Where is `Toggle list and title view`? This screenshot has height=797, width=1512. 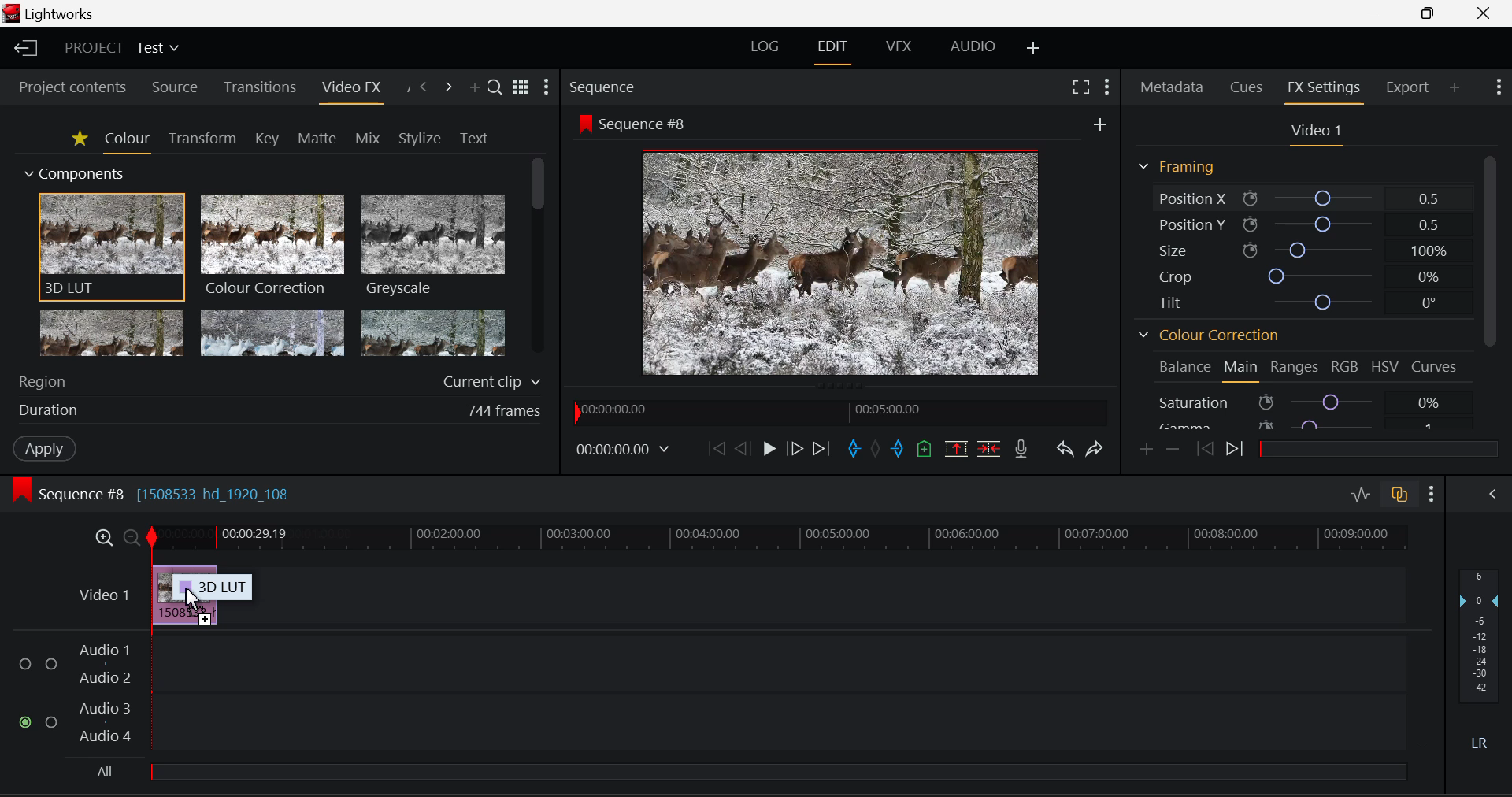 Toggle list and title view is located at coordinates (521, 85).